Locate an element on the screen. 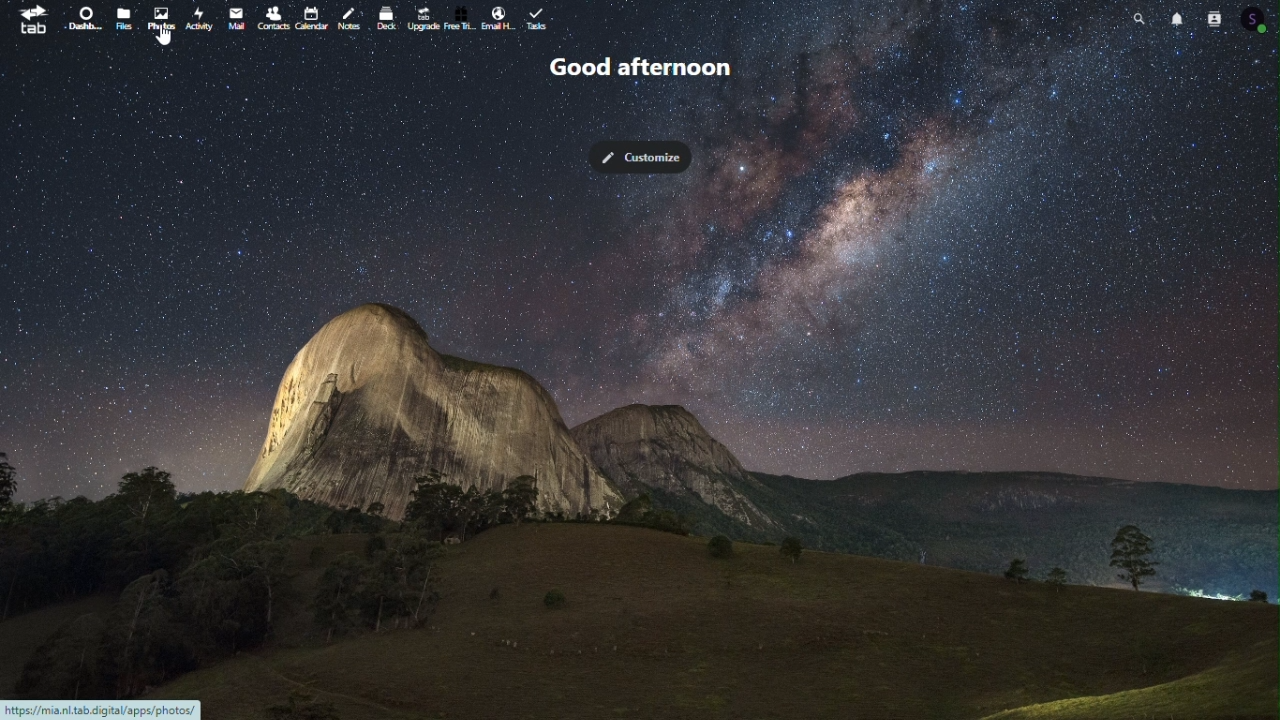  Good afternoon is located at coordinates (666, 70).